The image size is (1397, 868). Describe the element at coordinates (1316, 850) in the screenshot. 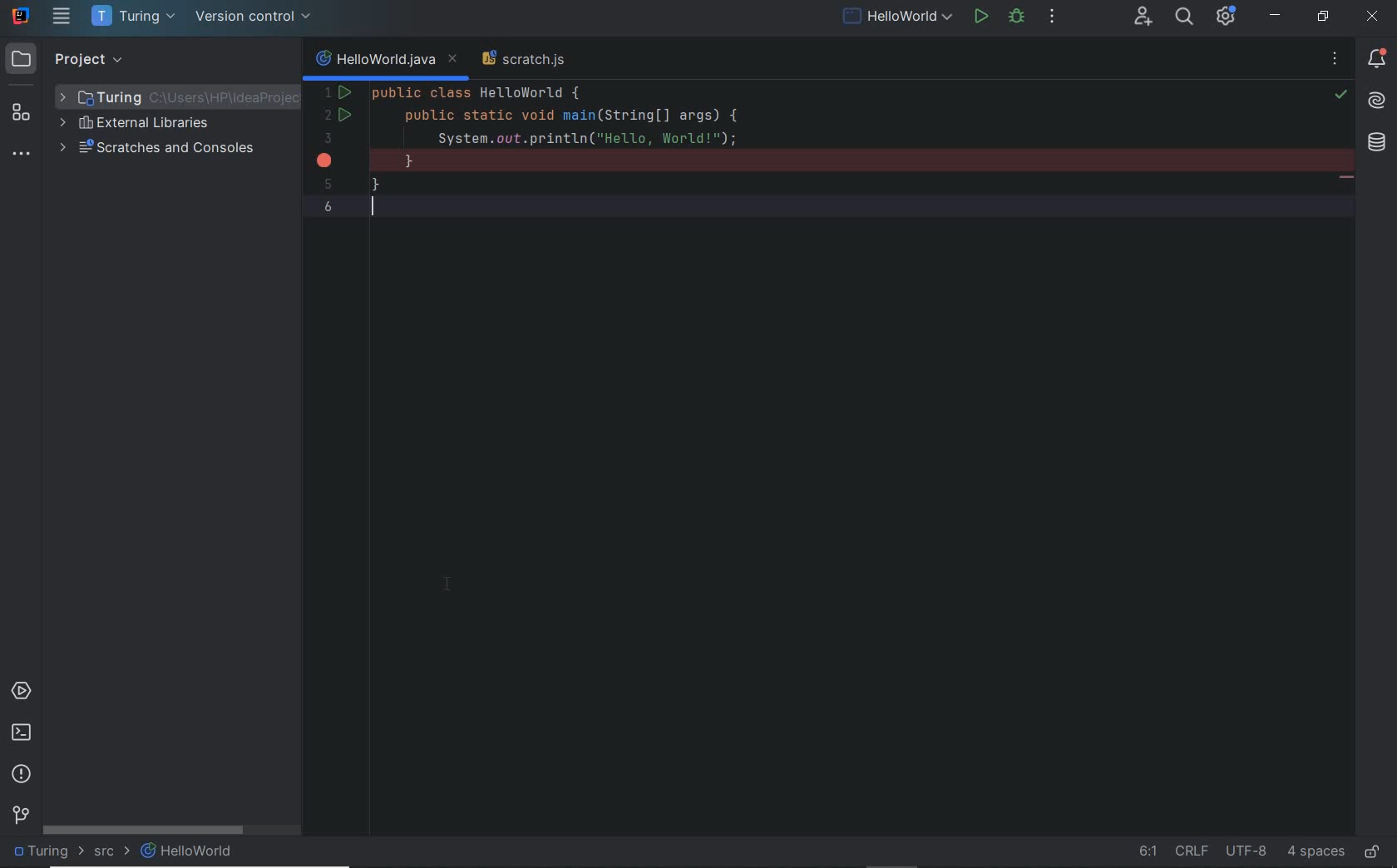

I see `indent` at that location.